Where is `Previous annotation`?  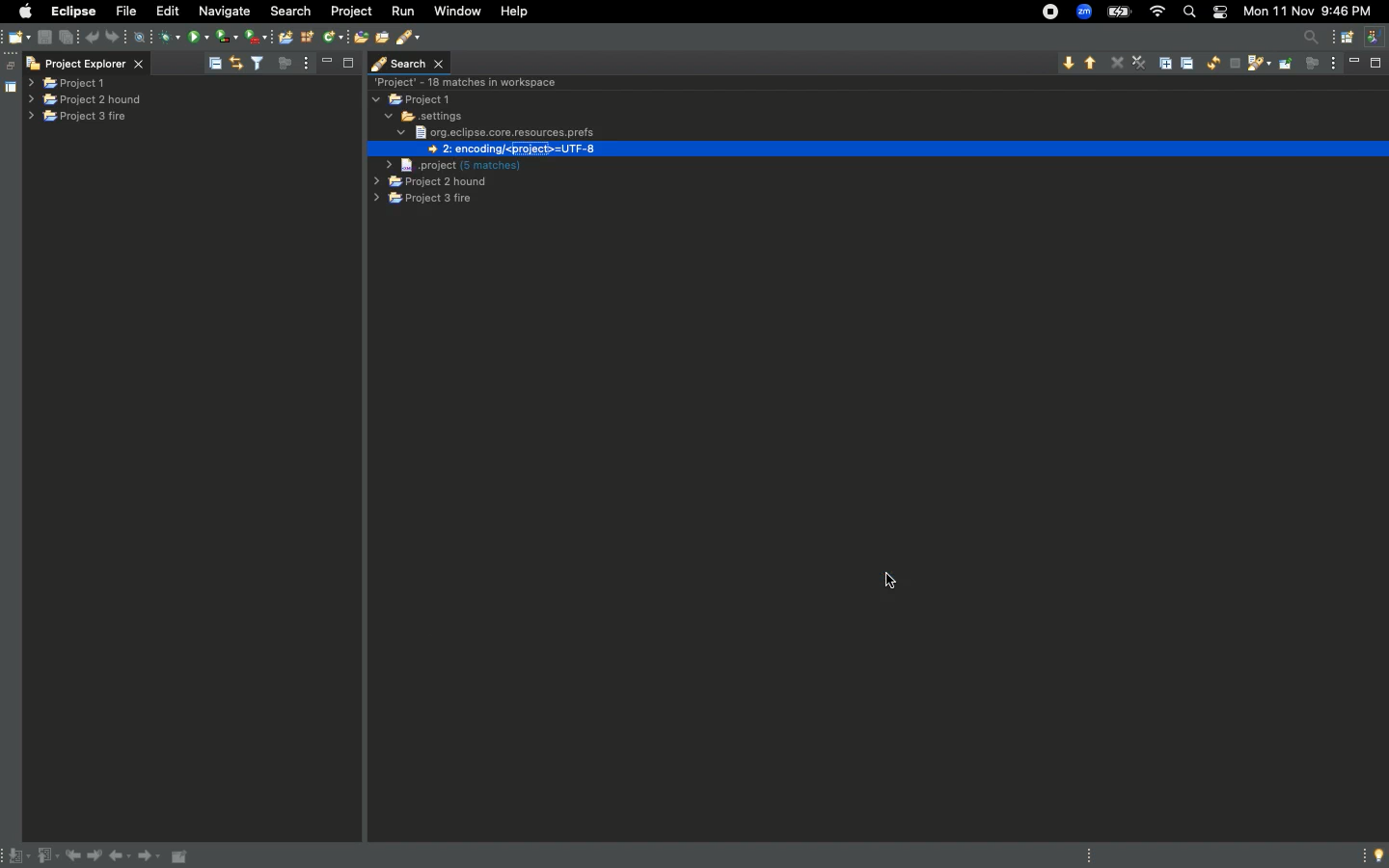
Previous annotation is located at coordinates (46, 856).